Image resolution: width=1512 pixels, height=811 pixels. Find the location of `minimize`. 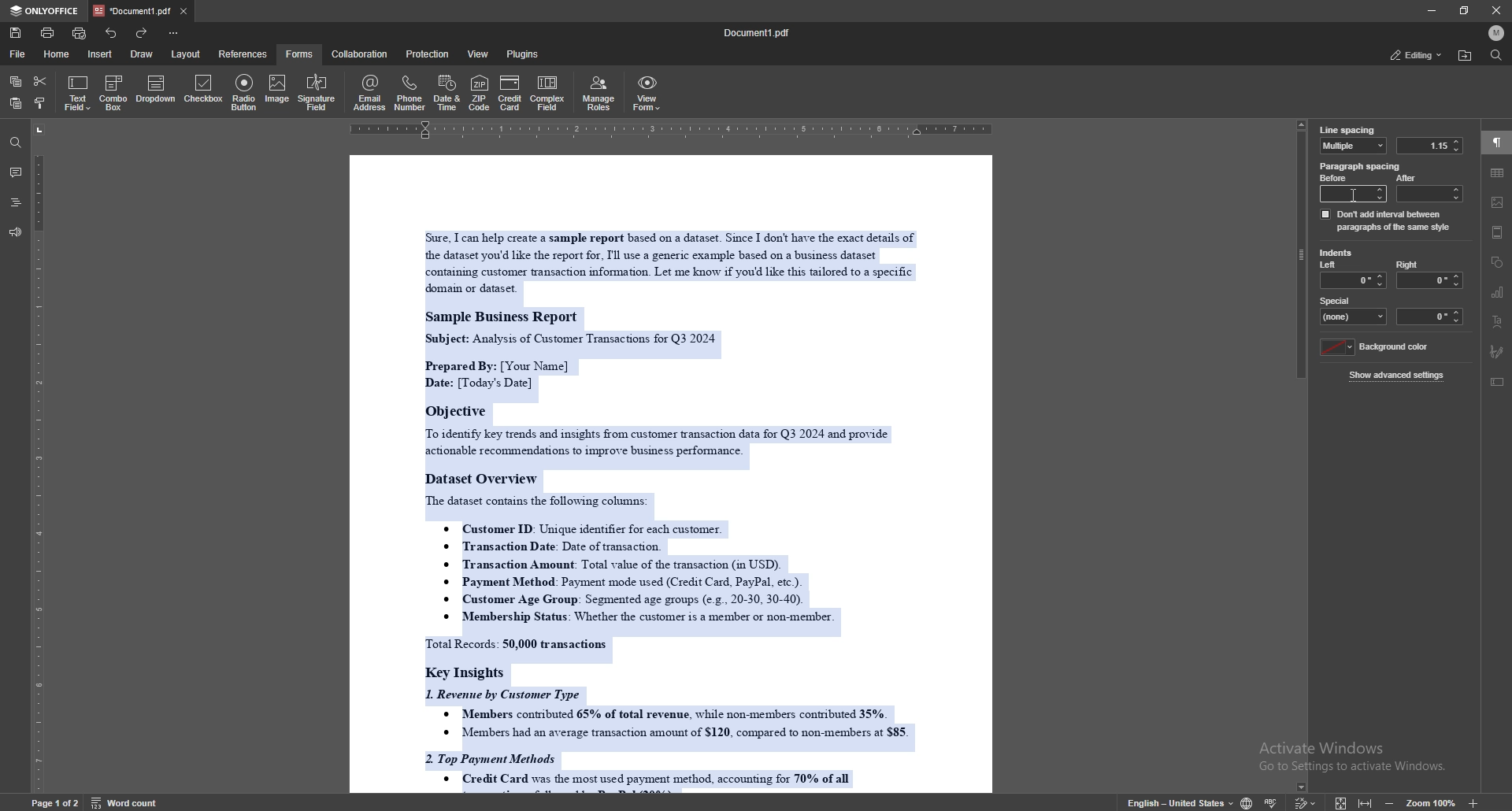

minimize is located at coordinates (1431, 10).